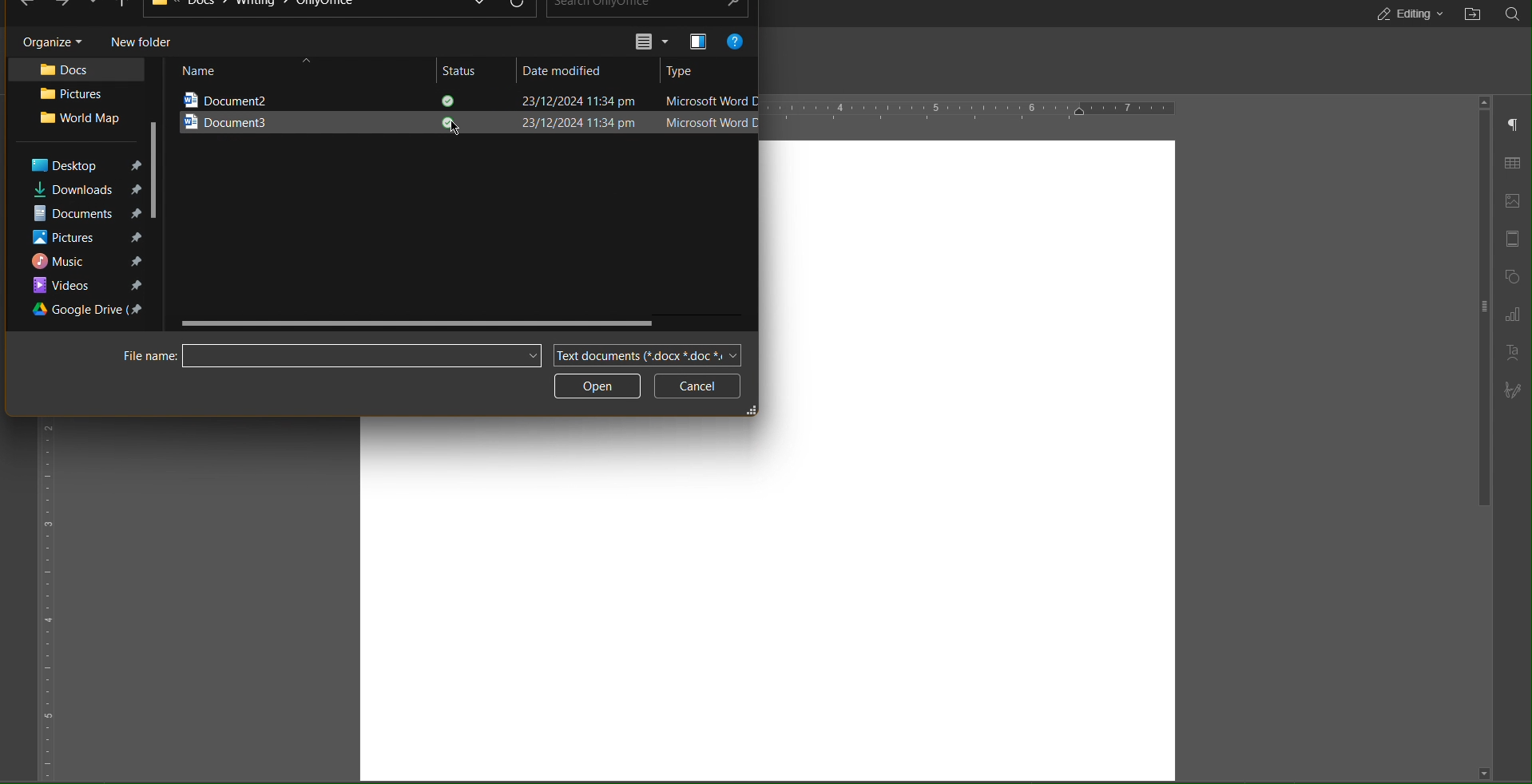 This screenshot has height=784, width=1532. What do you see at coordinates (91, 311) in the screenshot?
I see `Google Drive` at bounding box center [91, 311].